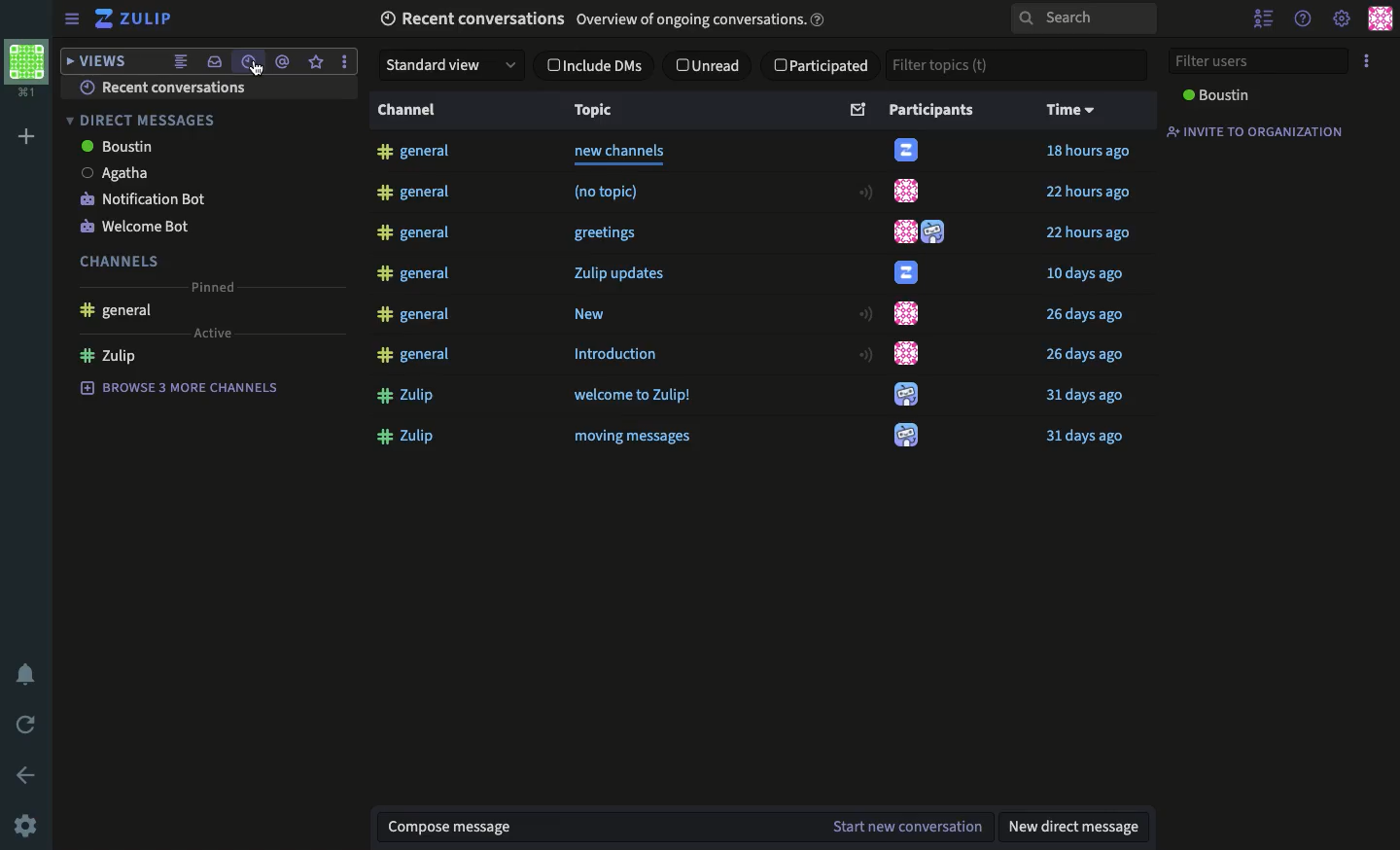 This screenshot has width=1400, height=850. Describe the element at coordinates (637, 399) in the screenshot. I see `welcome to zulip` at that location.